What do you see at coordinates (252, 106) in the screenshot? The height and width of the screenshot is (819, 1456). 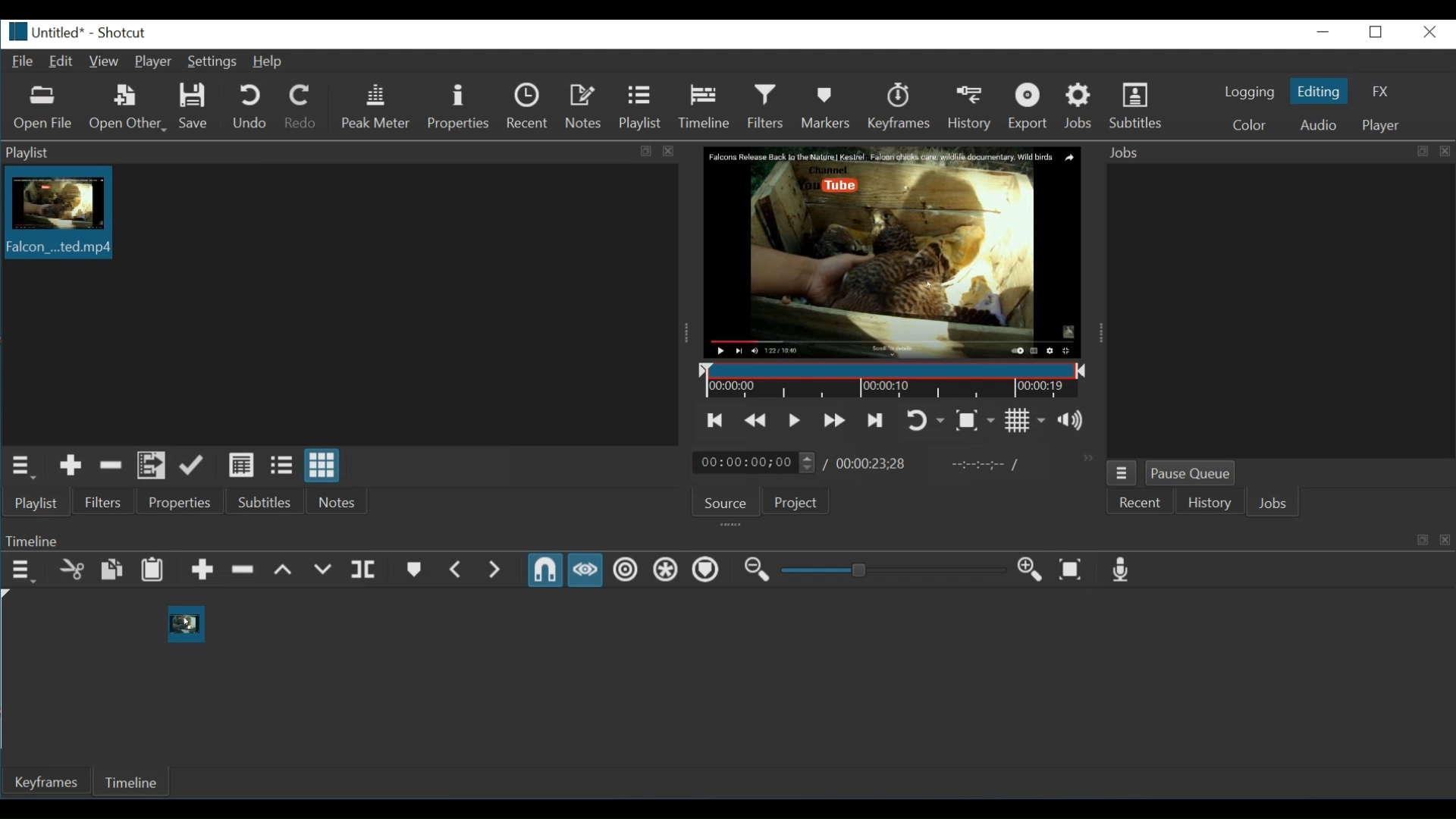 I see `Undo` at bounding box center [252, 106].